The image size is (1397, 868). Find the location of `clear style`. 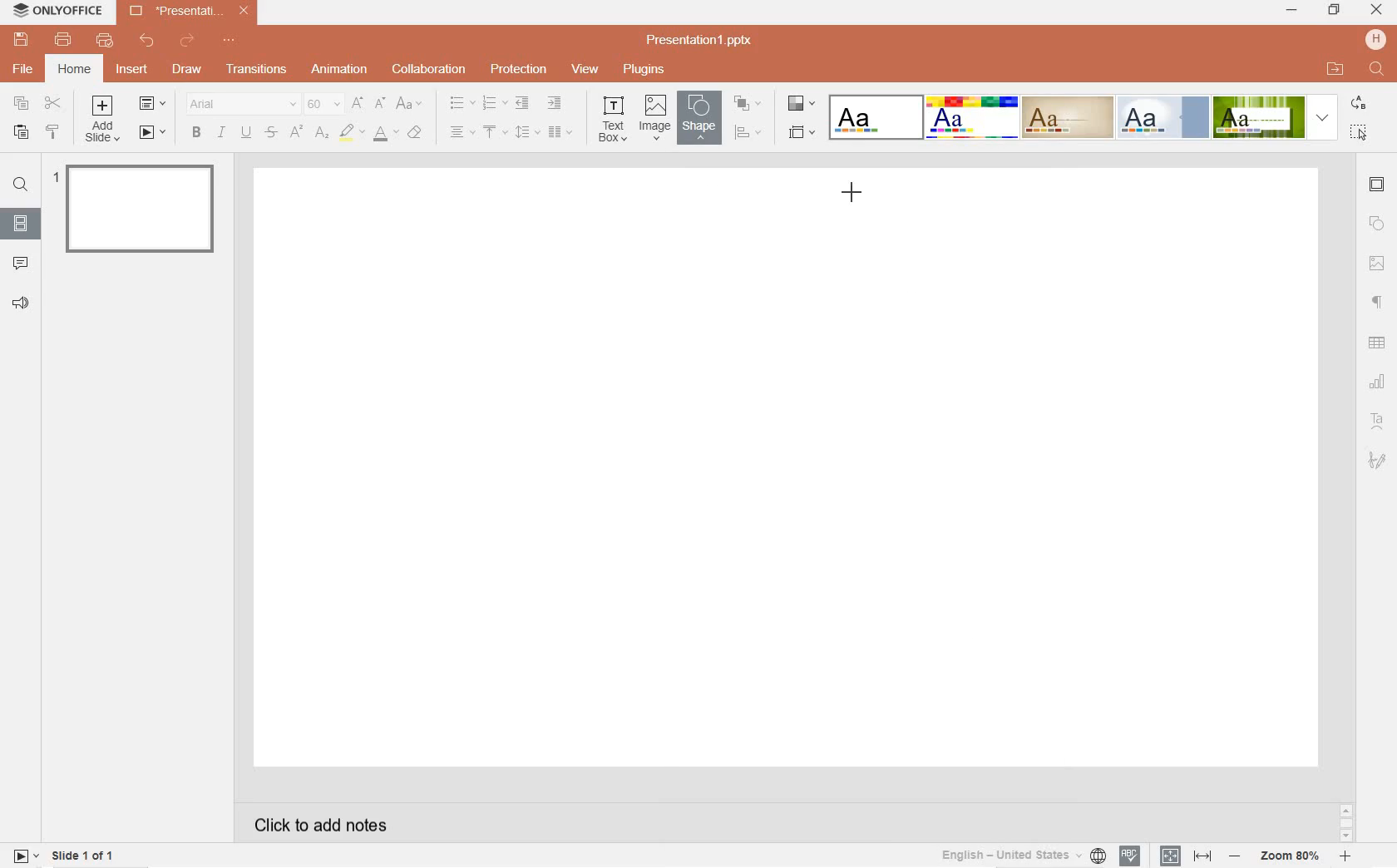

clear style is located at coordinates (417, 133).